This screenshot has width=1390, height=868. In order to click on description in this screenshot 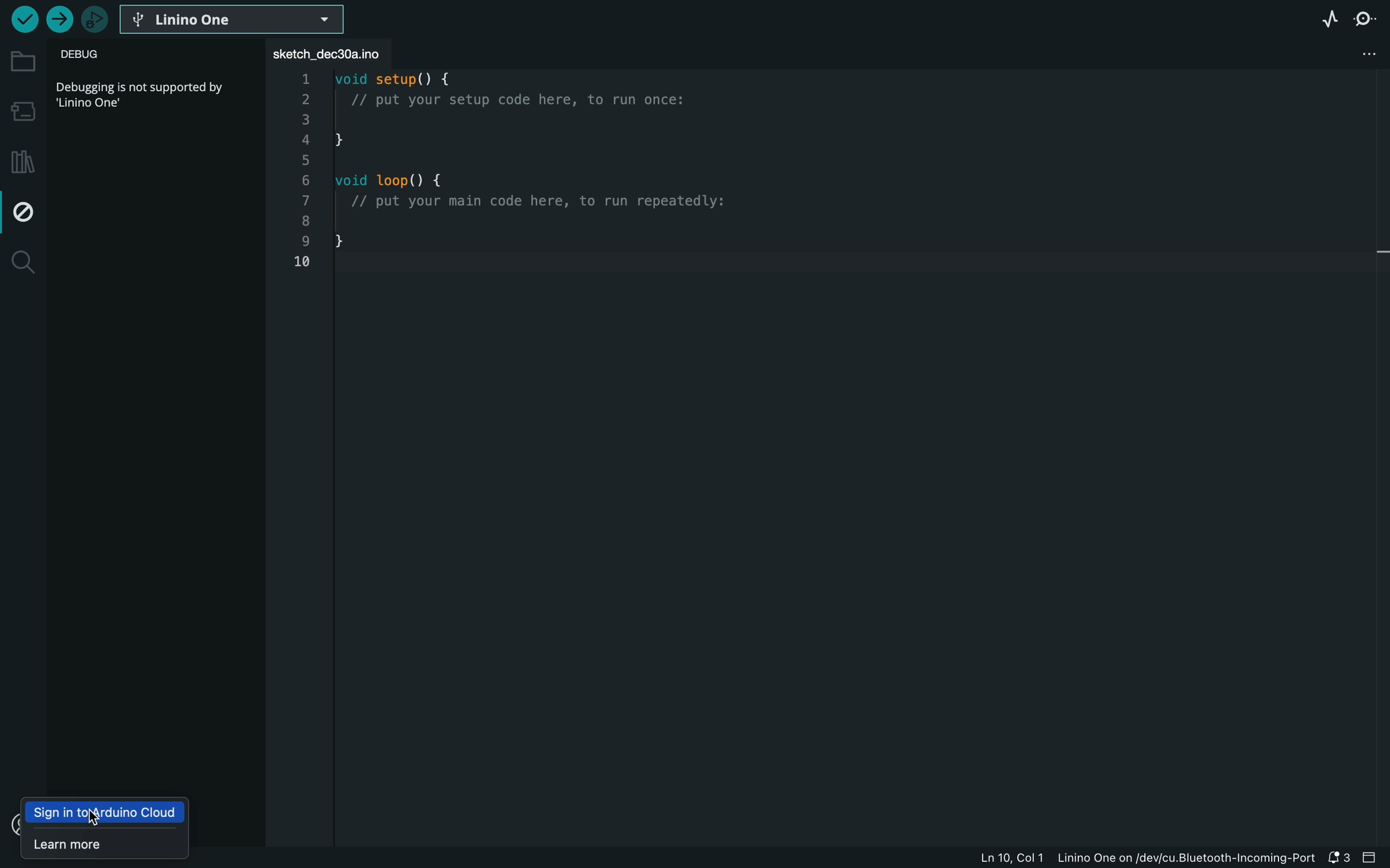, I will do `click(144, 93)`.